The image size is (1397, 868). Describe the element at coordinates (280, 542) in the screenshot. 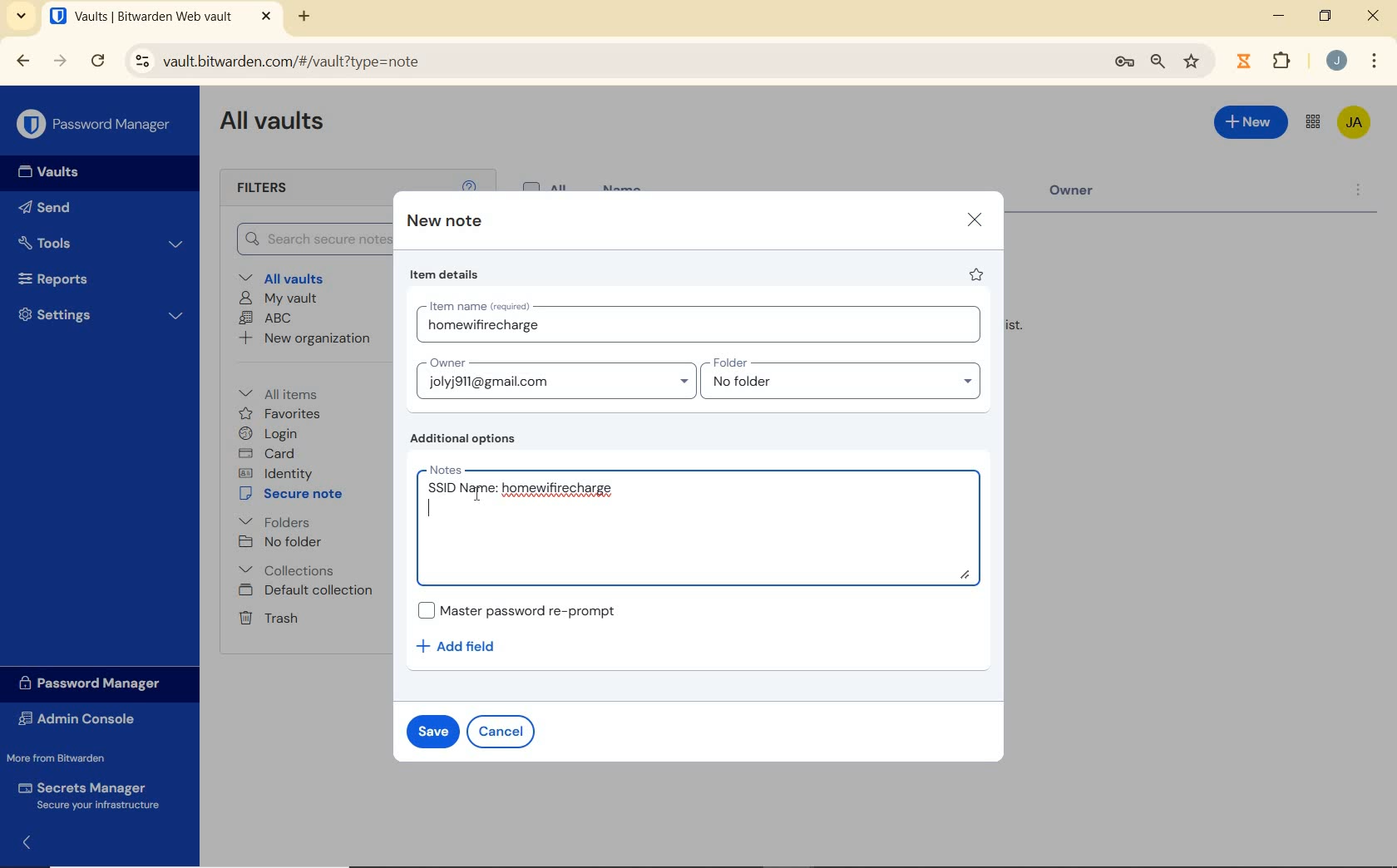

I see `No folder` at that location.